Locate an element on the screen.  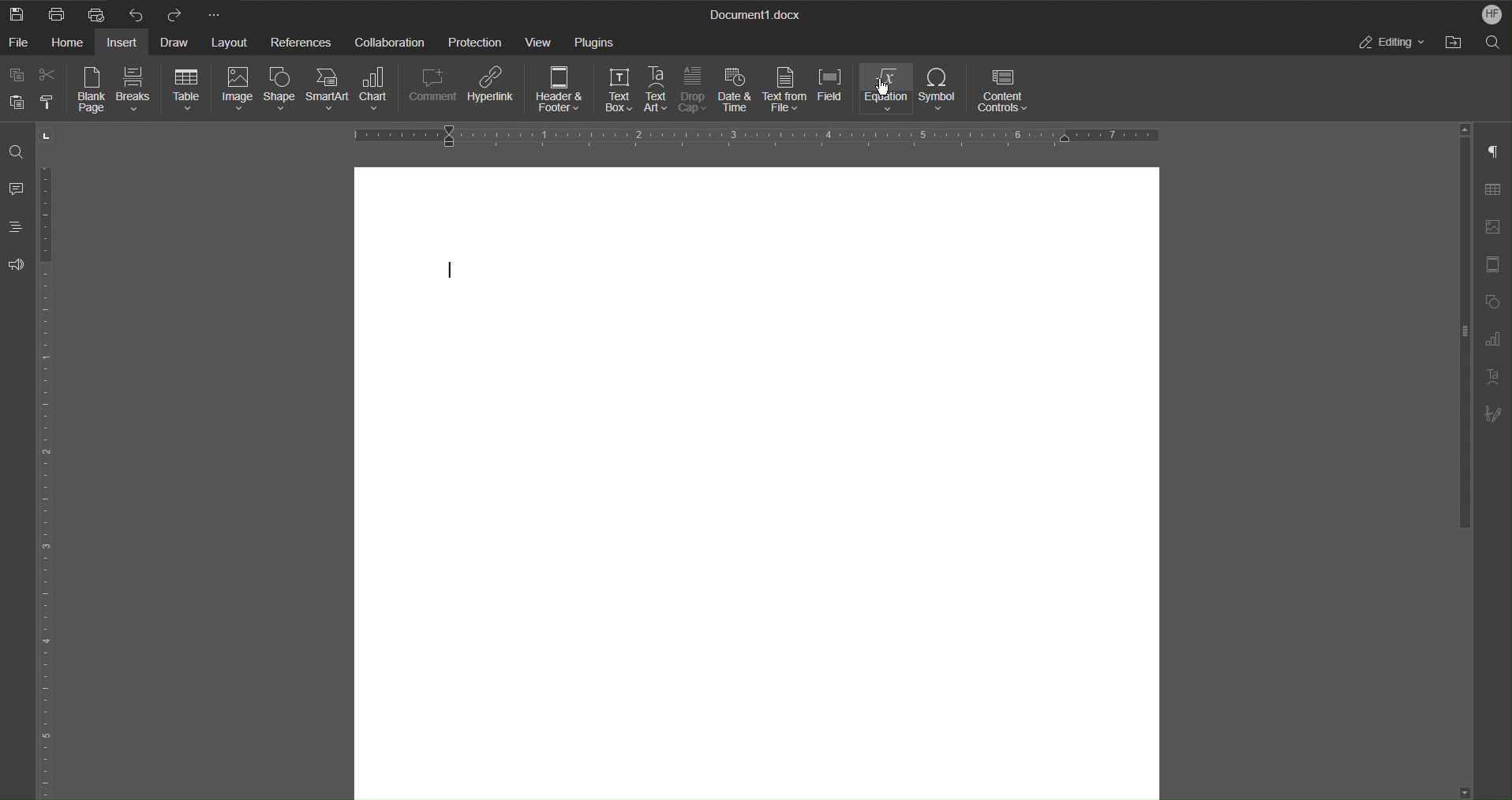
View is located at coordinates (541, 40).